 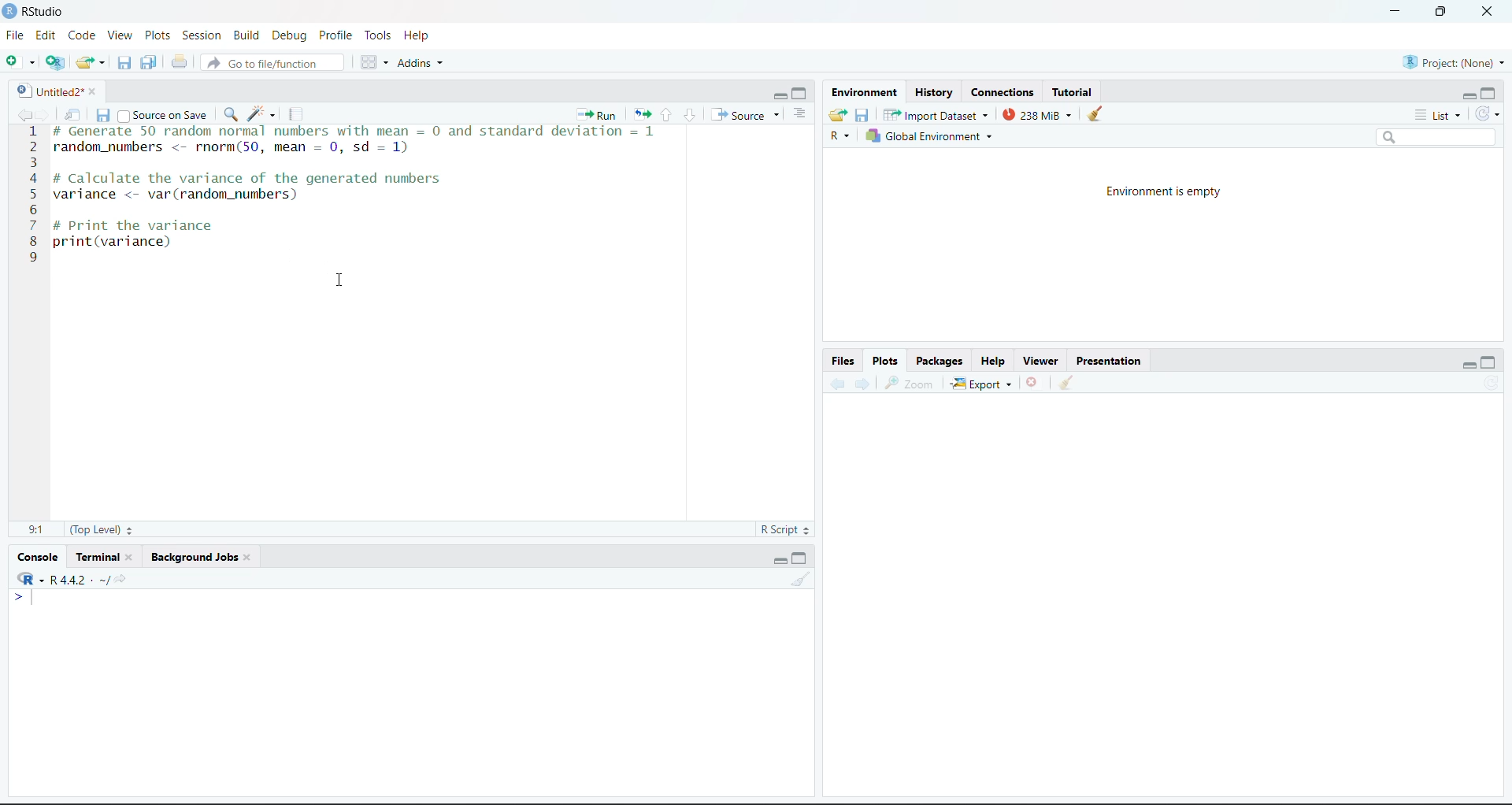 What do you see at coordinates (1066, 381) in the screenshot?
I see `clear` at bounding box center [1066, 381].